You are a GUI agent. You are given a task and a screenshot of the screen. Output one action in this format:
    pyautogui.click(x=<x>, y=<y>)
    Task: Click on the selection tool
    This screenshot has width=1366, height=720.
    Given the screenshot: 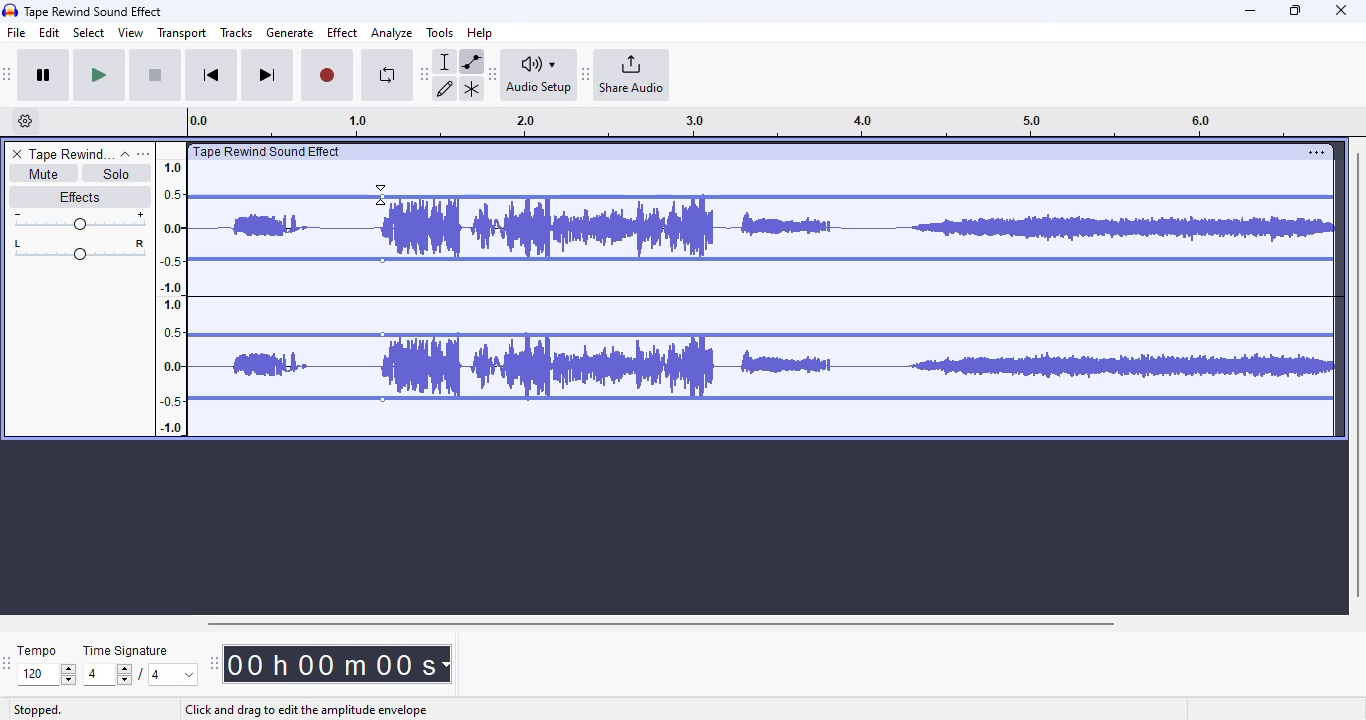 What is the action you would take?
    pyautogui.click(x=447, y=61)
    